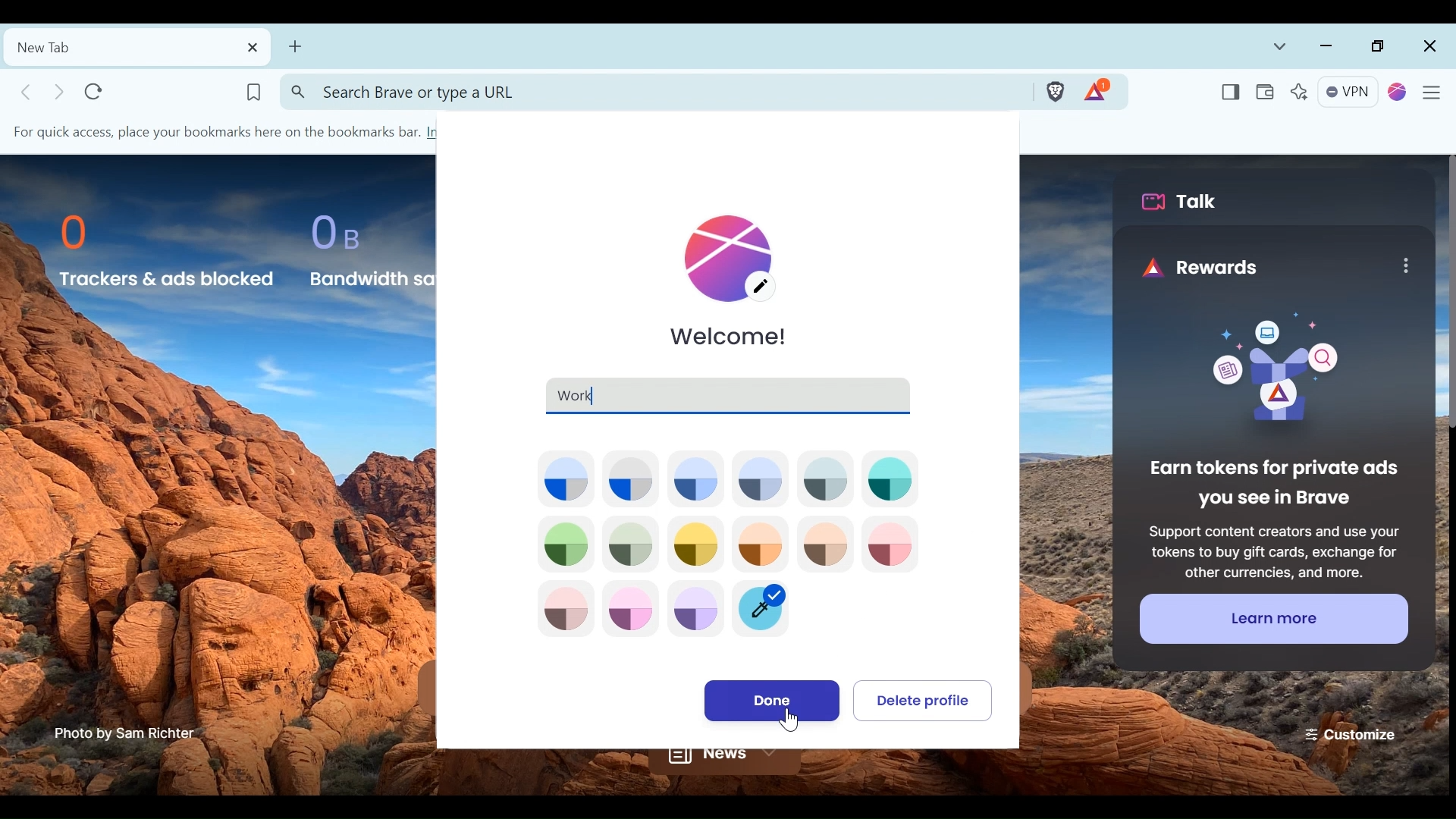 This screenshot has height=819, width=1456. What do you see at coordinates (1271, 552) in the screenshot?
I see `Support content creators and use your  tokens to buy gift cards, exchange for other currencies, and more.` at bounding box center [1271, 552].